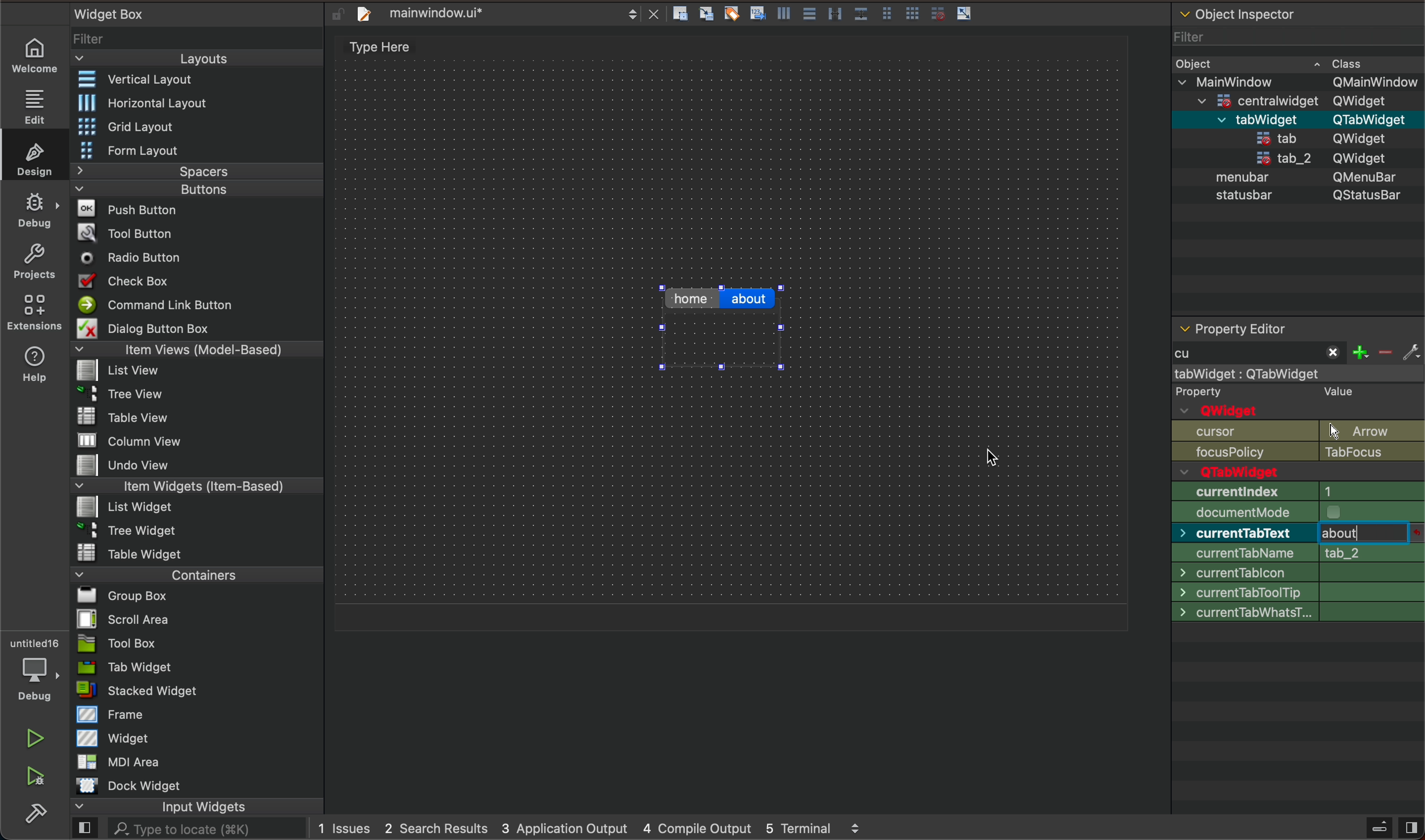 The height and width of the screenshot is (840, 1425). I want to click on typed cu, so click(1258, 354).